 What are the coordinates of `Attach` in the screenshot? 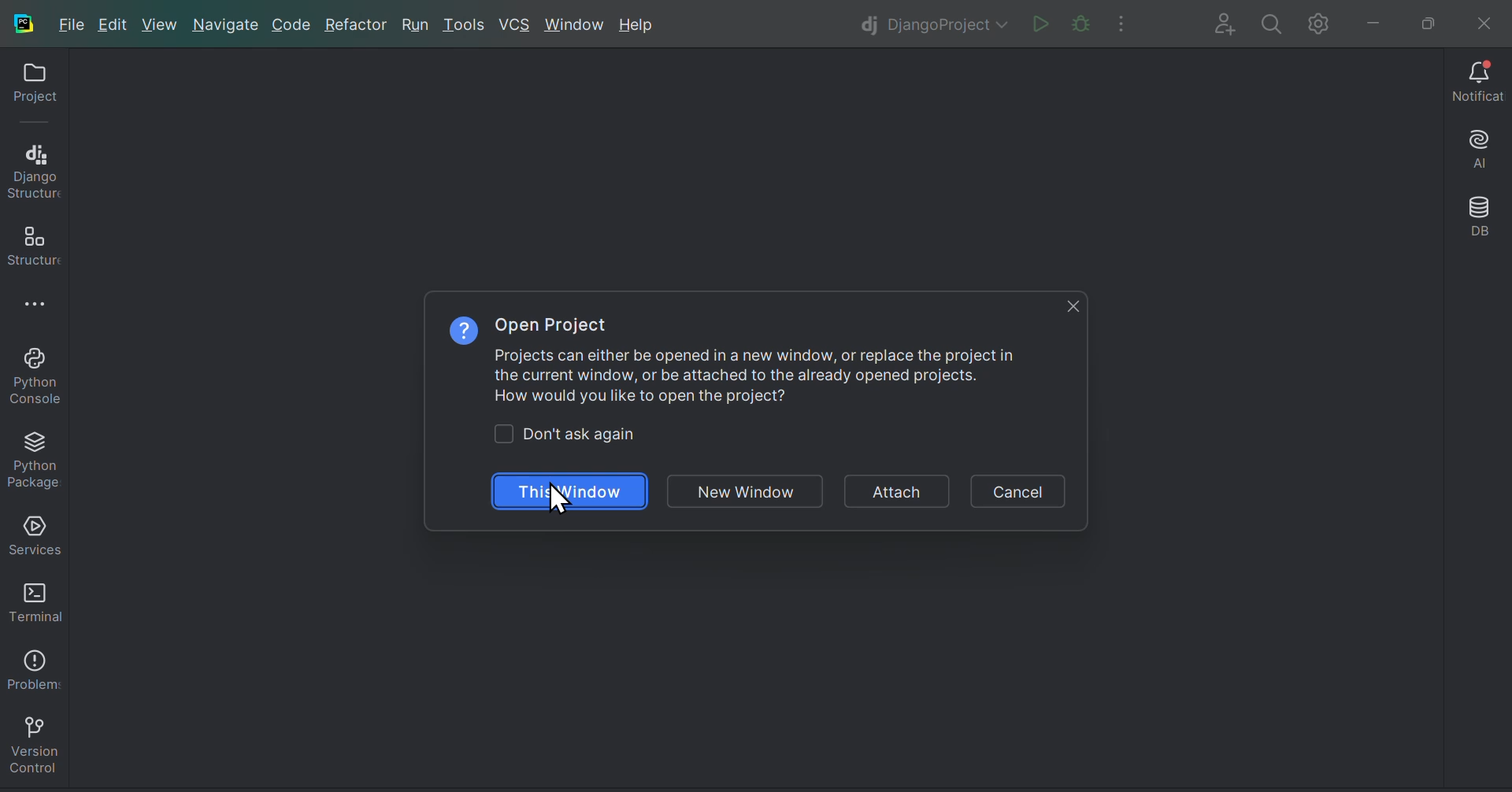 It's located at (894, 492).